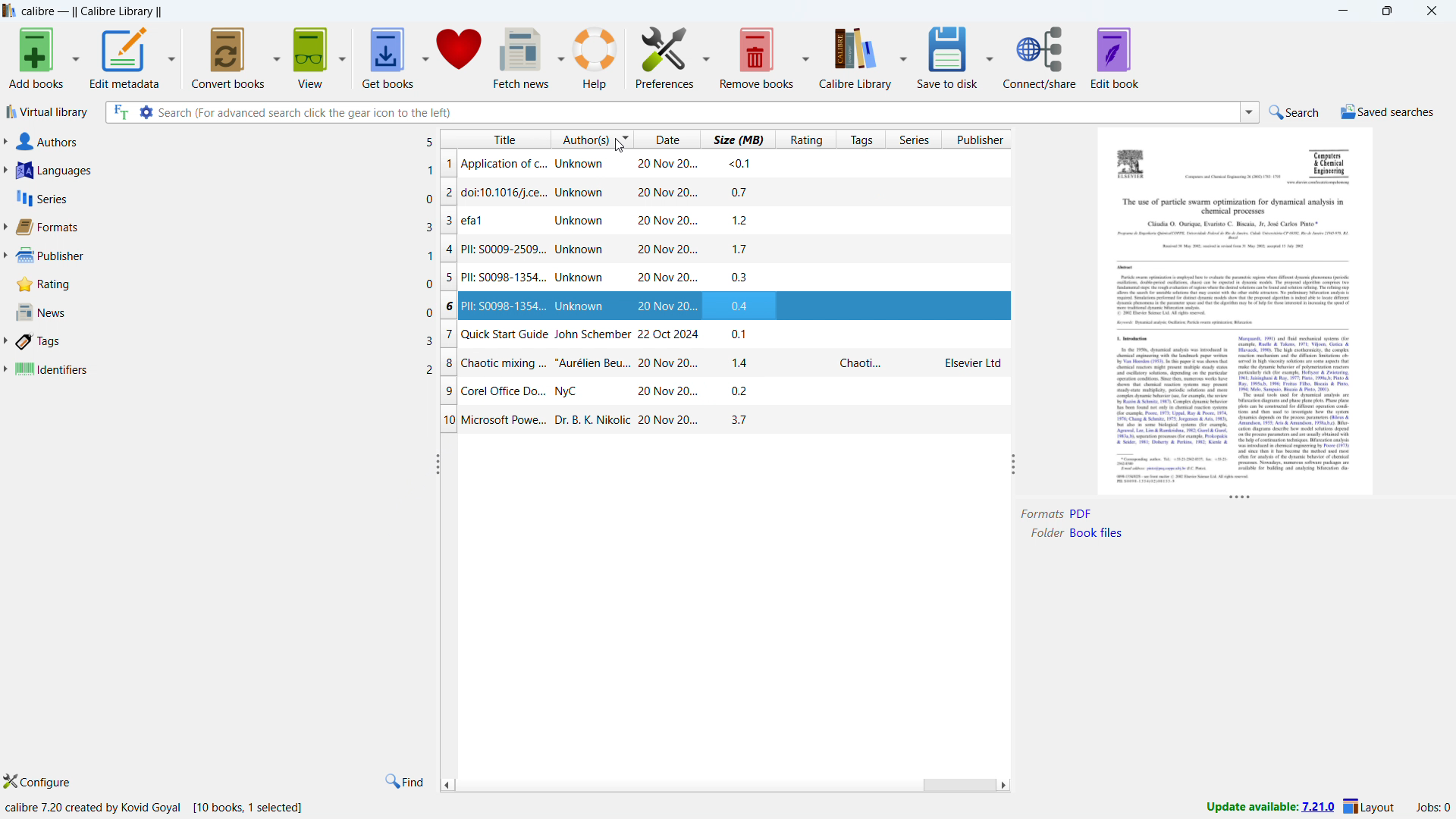 This screenshot has height=819, width=1456. What do you see at coordinates (447, 224) in the screenshot?
I see `3` at bounding box center [447, 224].